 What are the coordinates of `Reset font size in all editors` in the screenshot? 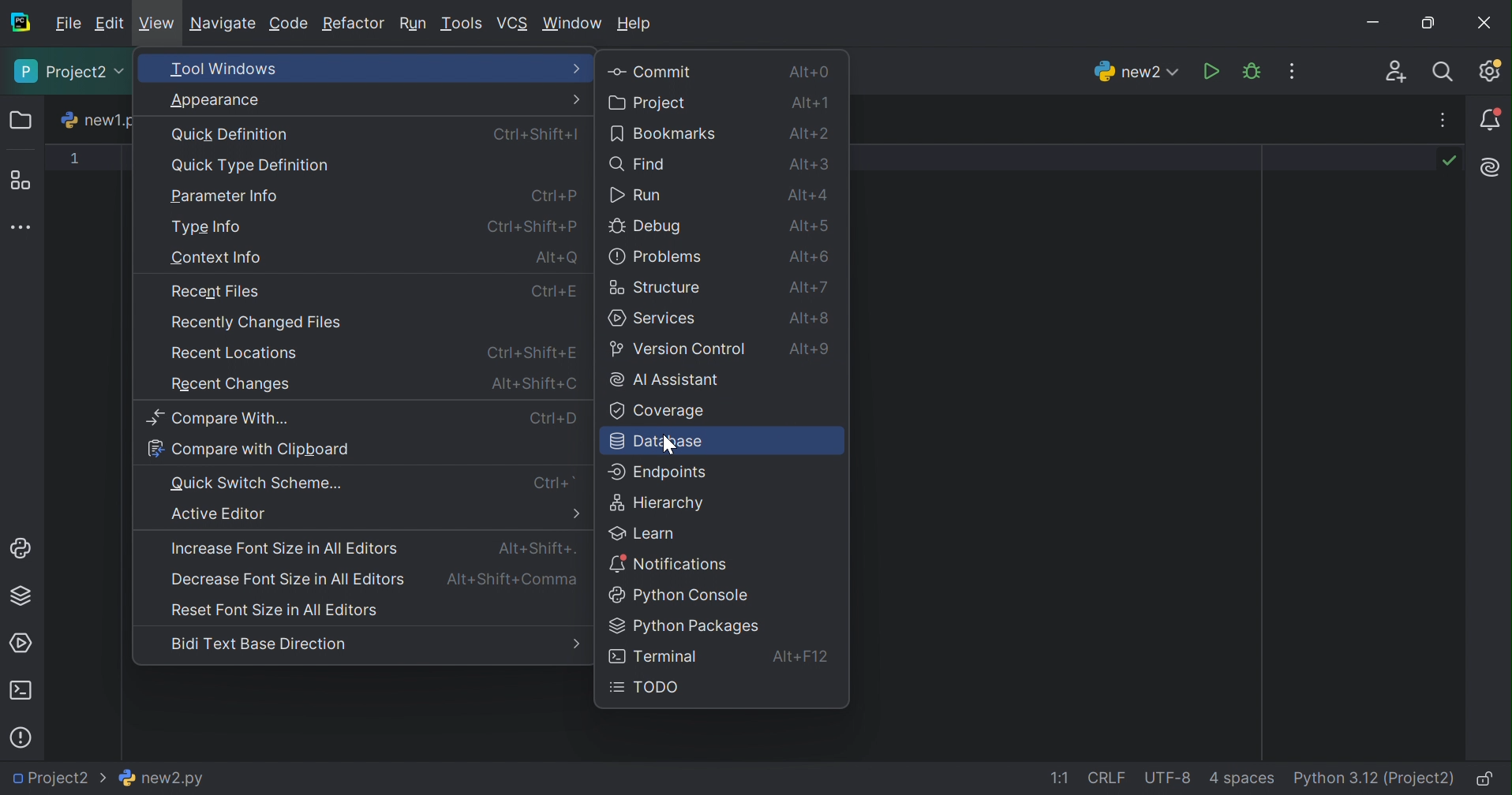 It's located at (279, 610).